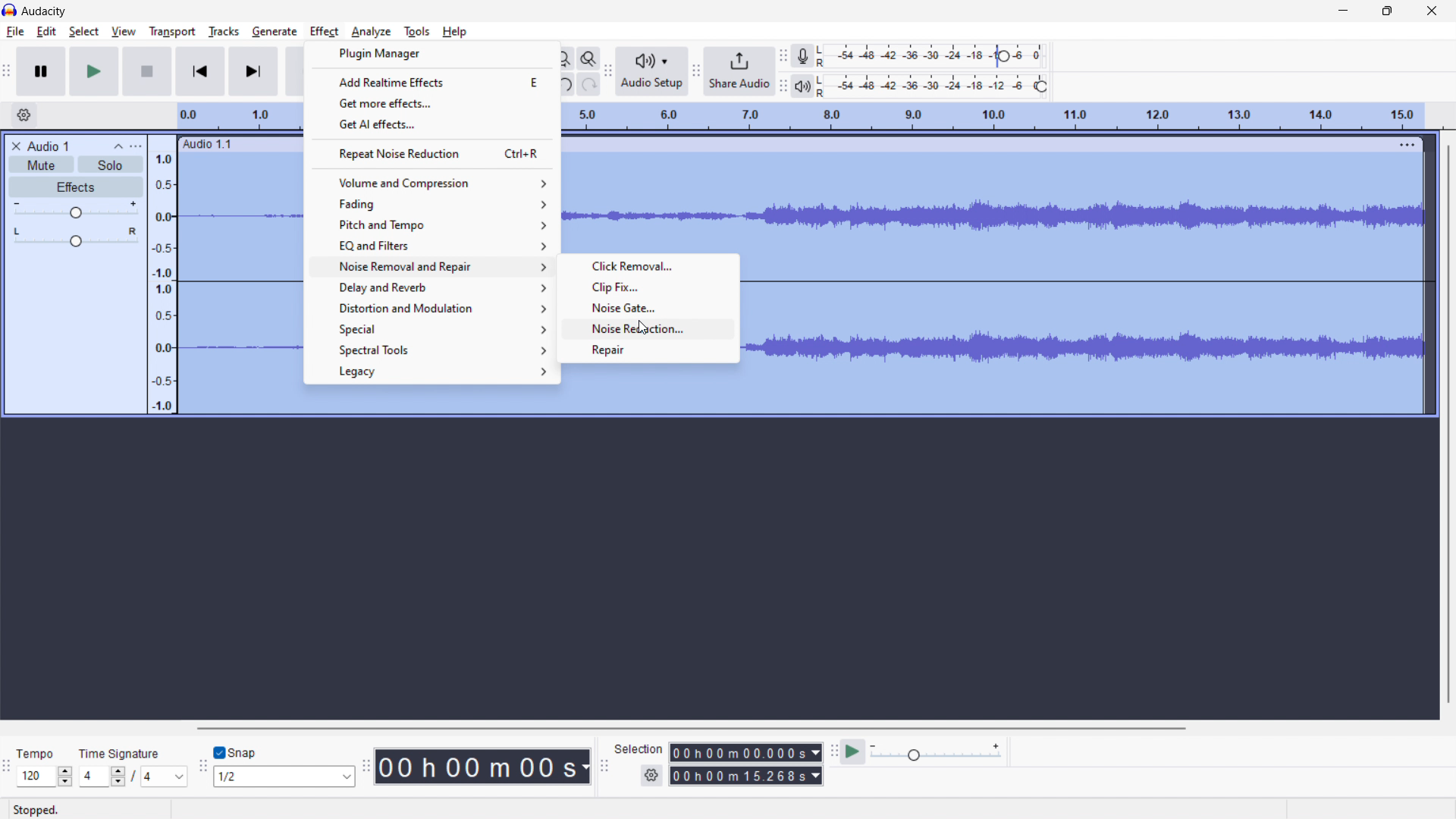  What do you see at coordinates (739, 71) in the screenshot?
I see `share audio` at bounding box center [739, 71].